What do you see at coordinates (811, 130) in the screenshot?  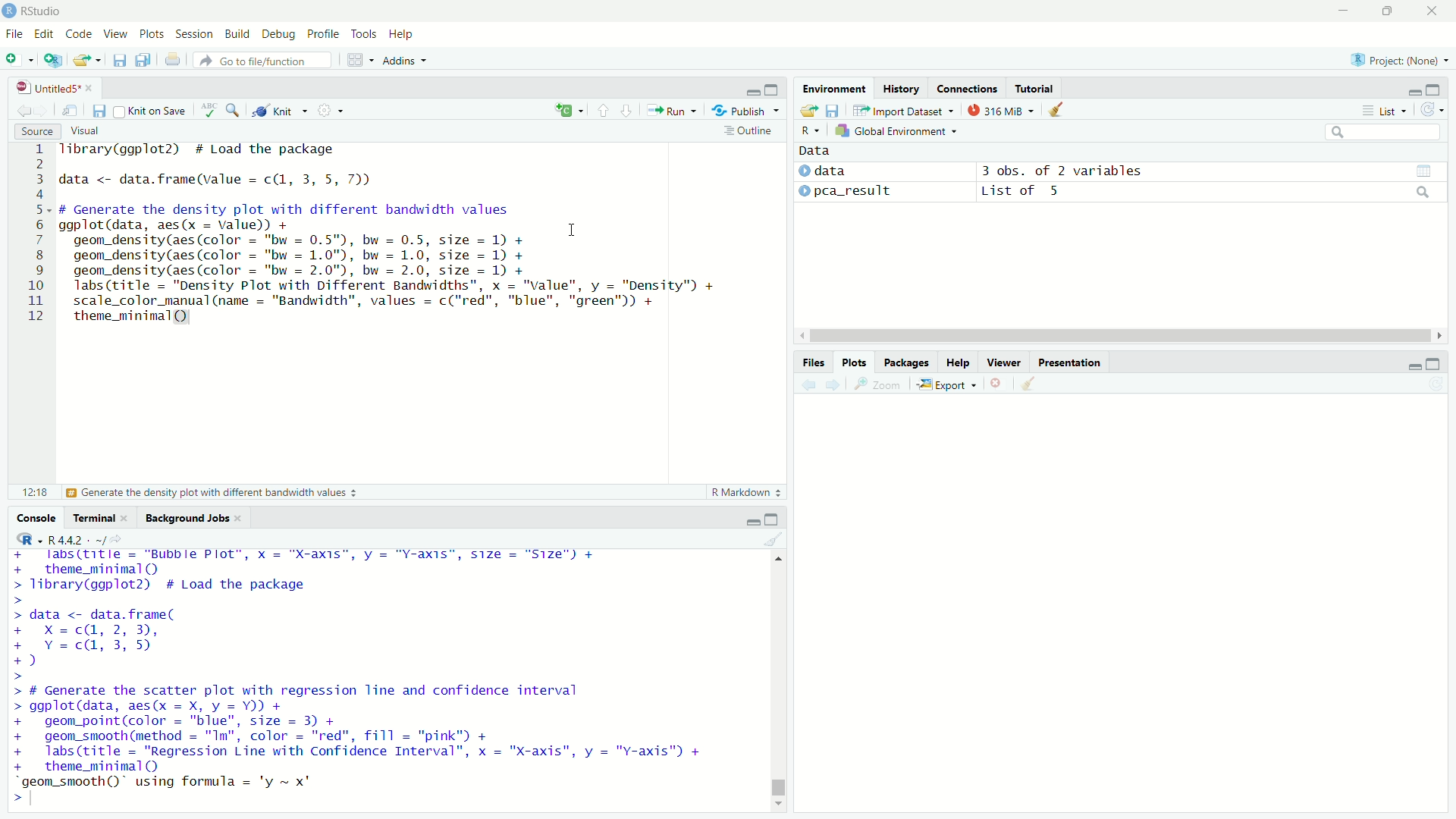 I see `R` at bounding box center [811, 130].